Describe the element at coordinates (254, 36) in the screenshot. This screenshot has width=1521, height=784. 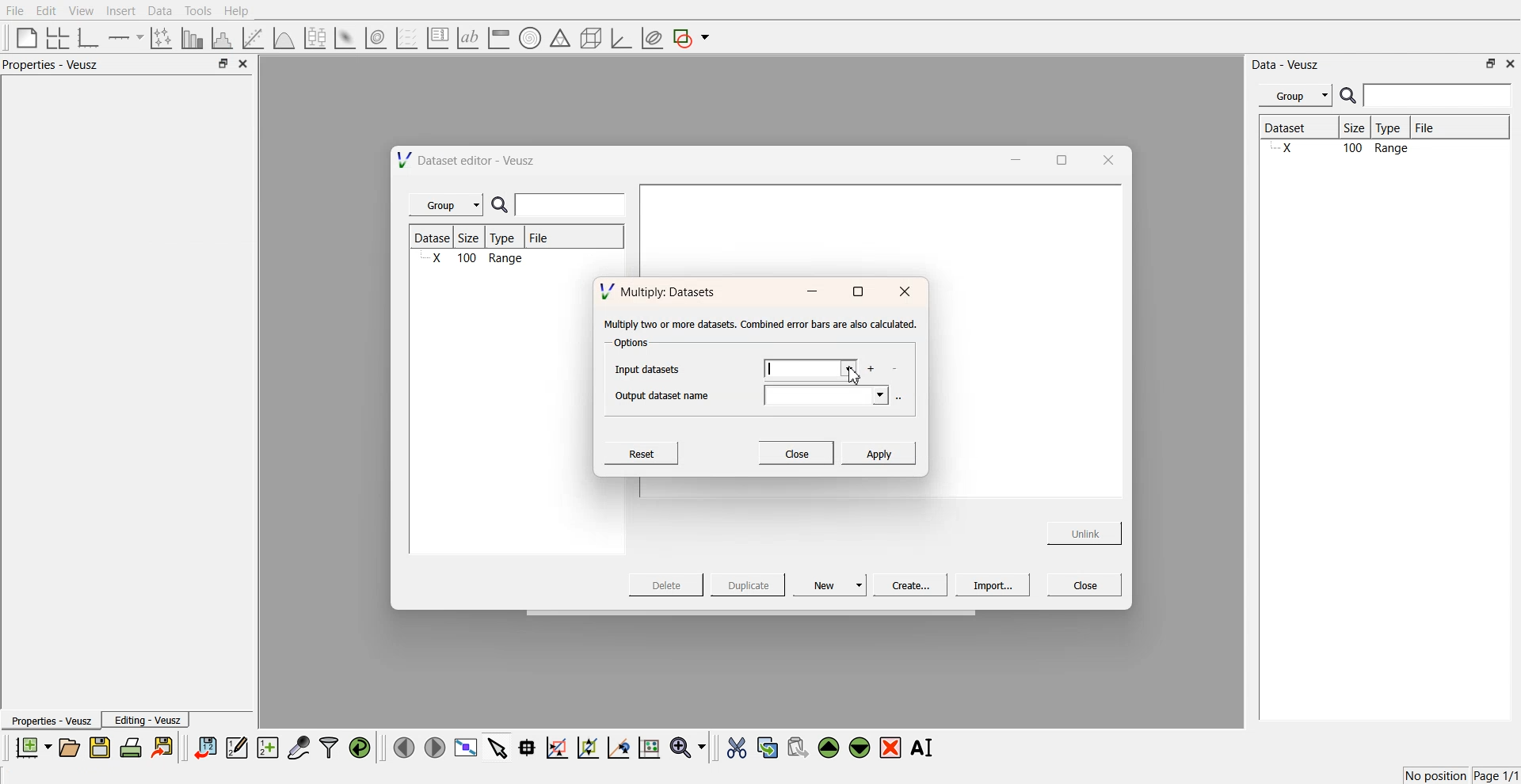
I see `fit a function` at that location.